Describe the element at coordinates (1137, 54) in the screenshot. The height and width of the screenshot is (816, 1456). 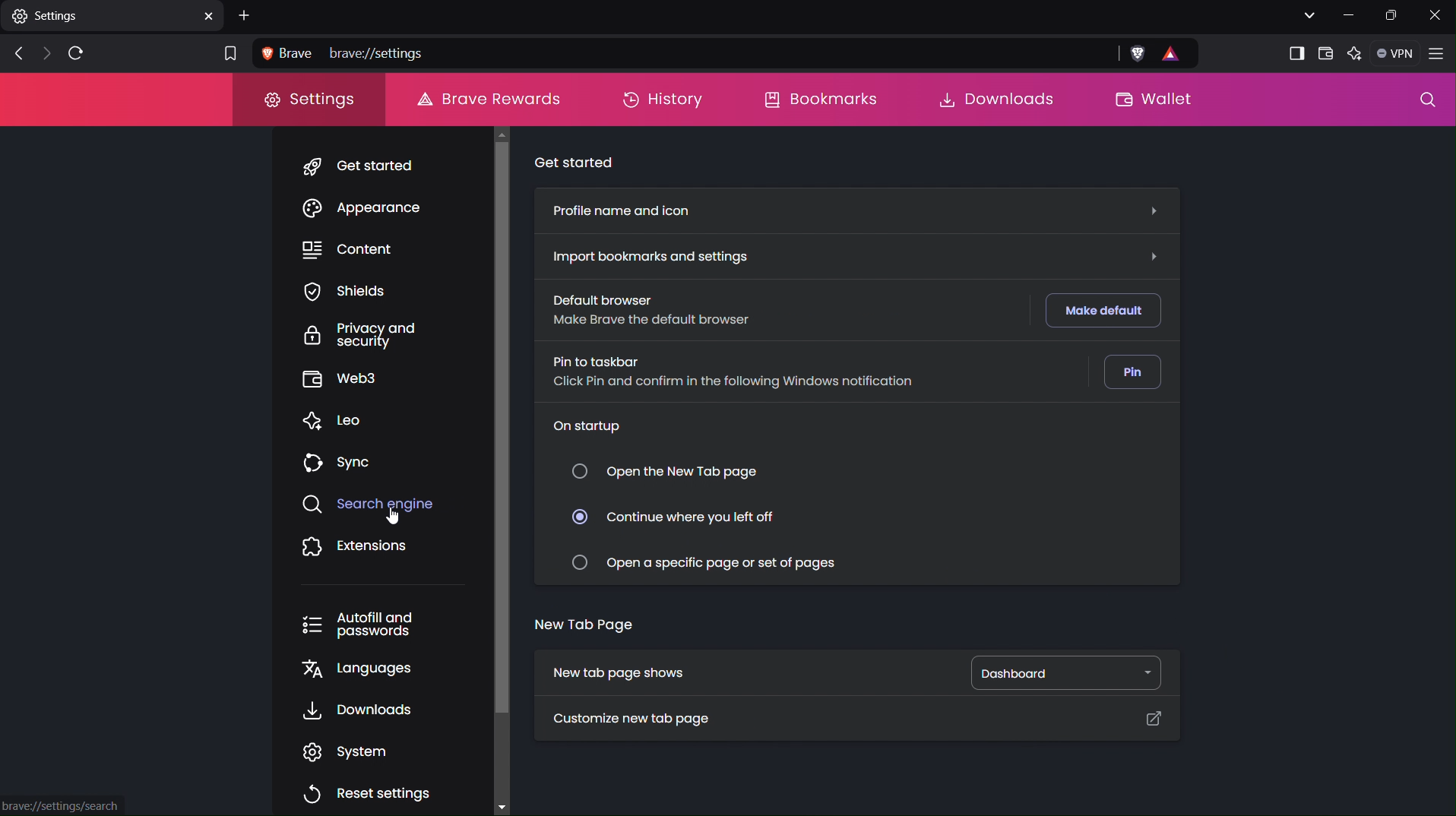
I see `Brave Shield` at that location.